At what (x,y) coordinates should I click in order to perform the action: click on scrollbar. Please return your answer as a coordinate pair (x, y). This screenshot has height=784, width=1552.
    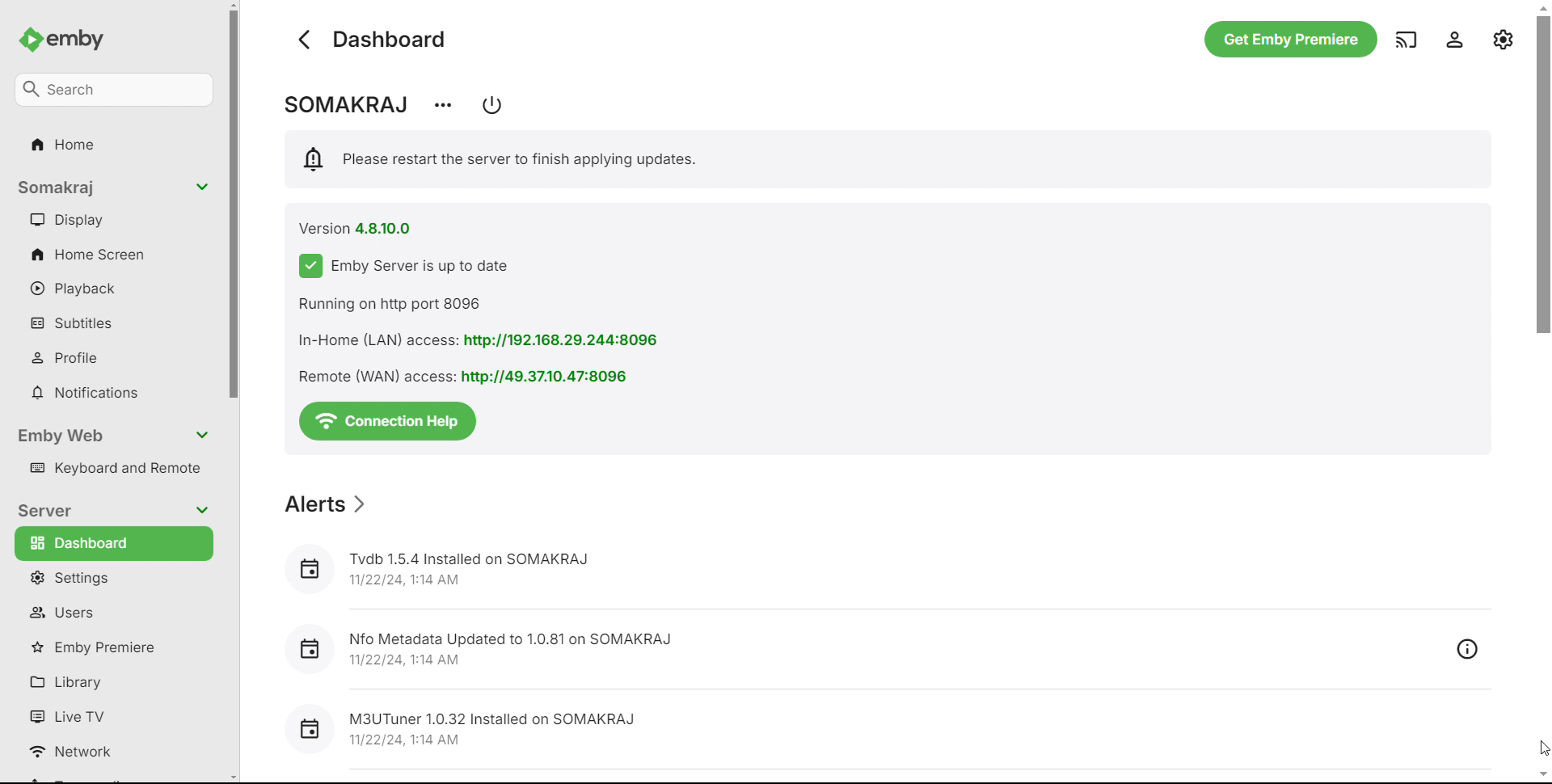
    Looking at the image, I should click on (236, 393).